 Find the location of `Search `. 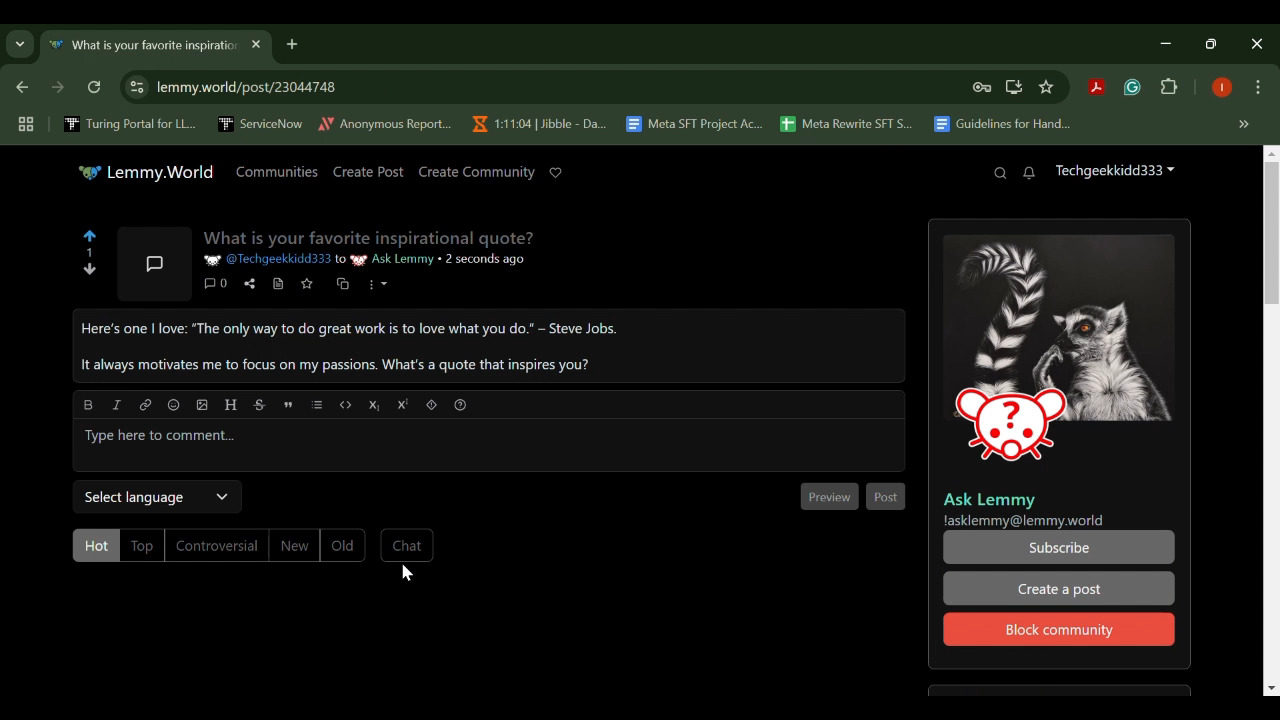

Search  is located at coordinates (1000, 173).